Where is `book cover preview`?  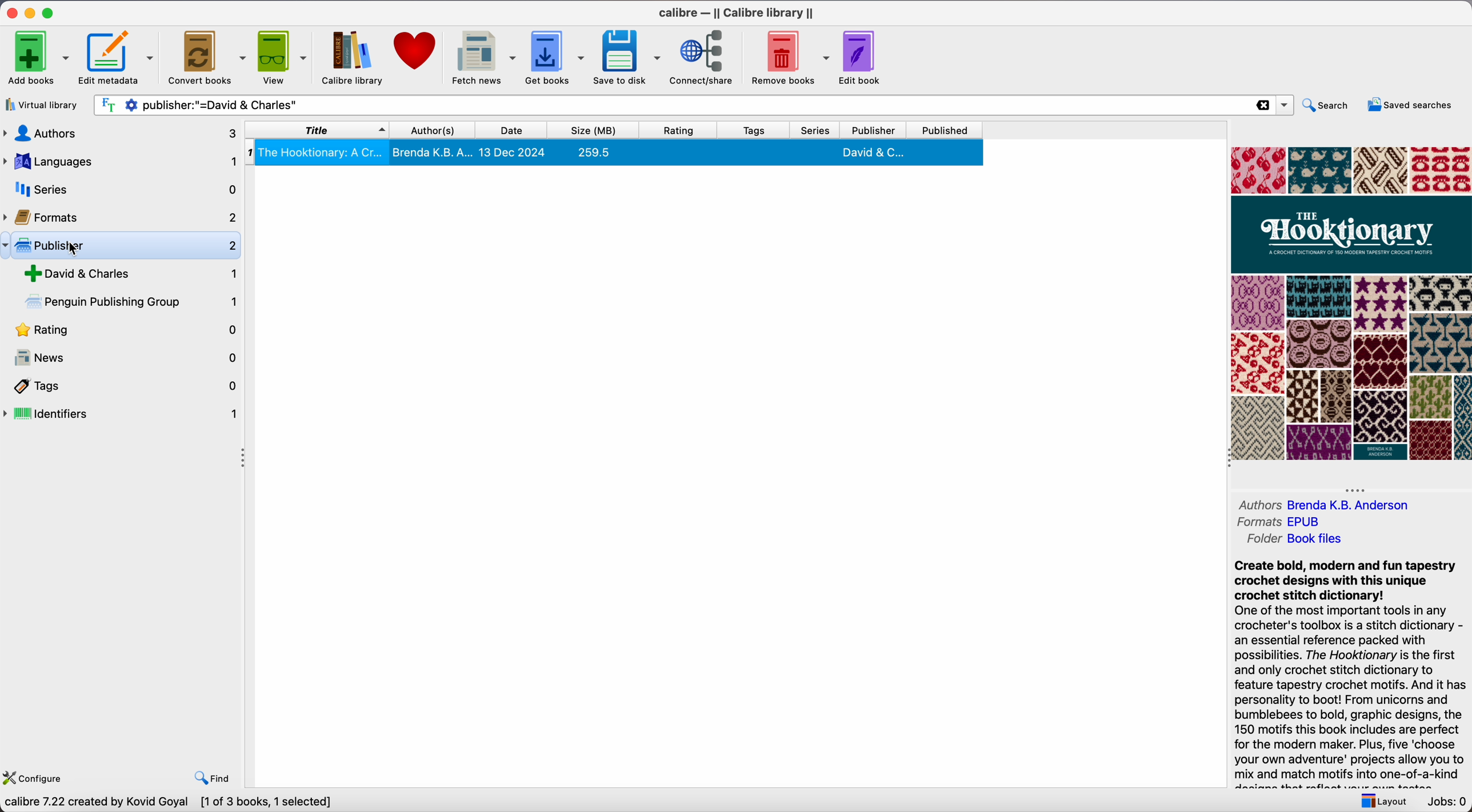 book cover preview is located at coordinates (1351, 305).